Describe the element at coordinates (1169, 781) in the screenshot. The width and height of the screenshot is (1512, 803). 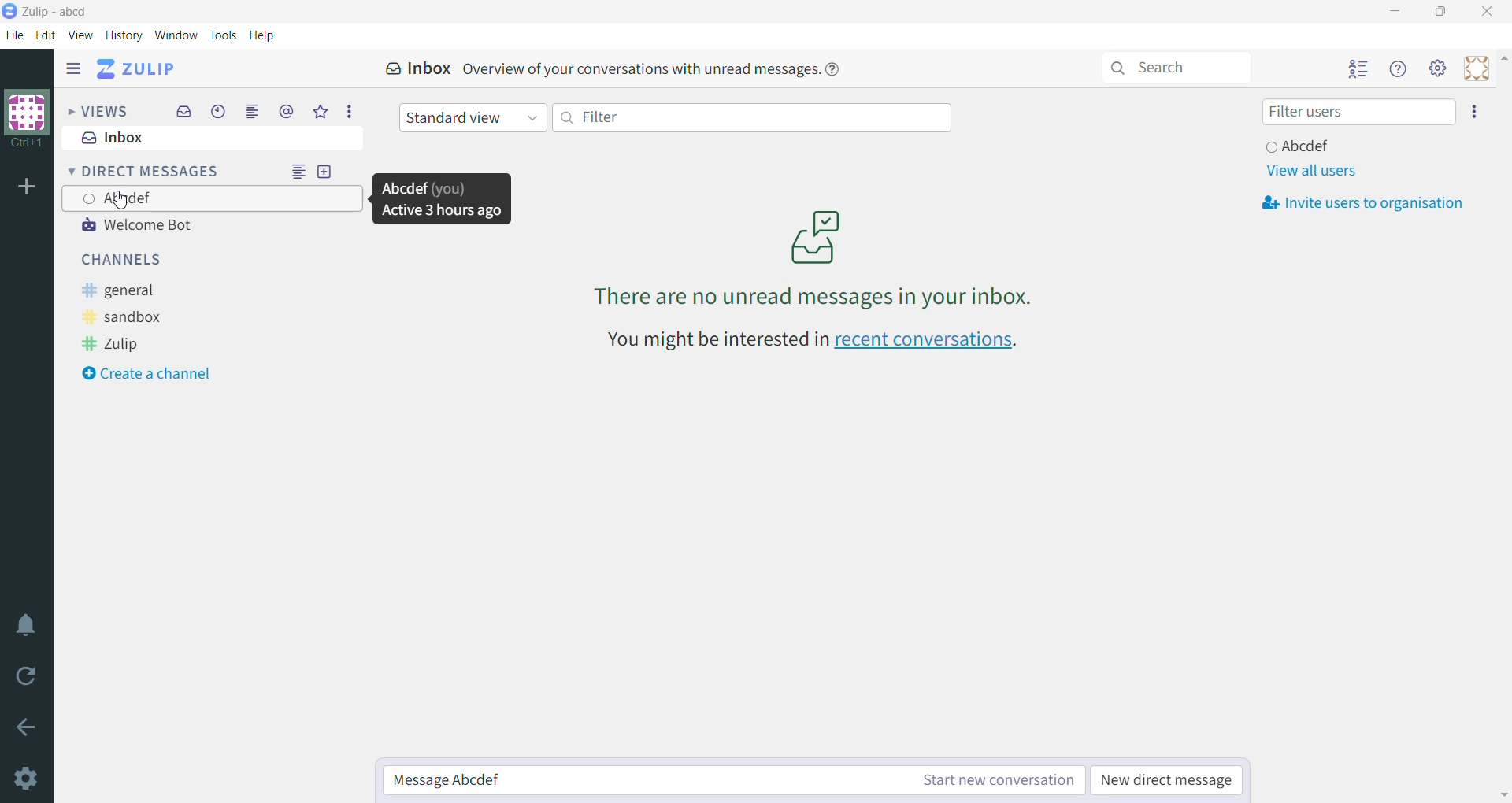
I see `New direct message` at that location.